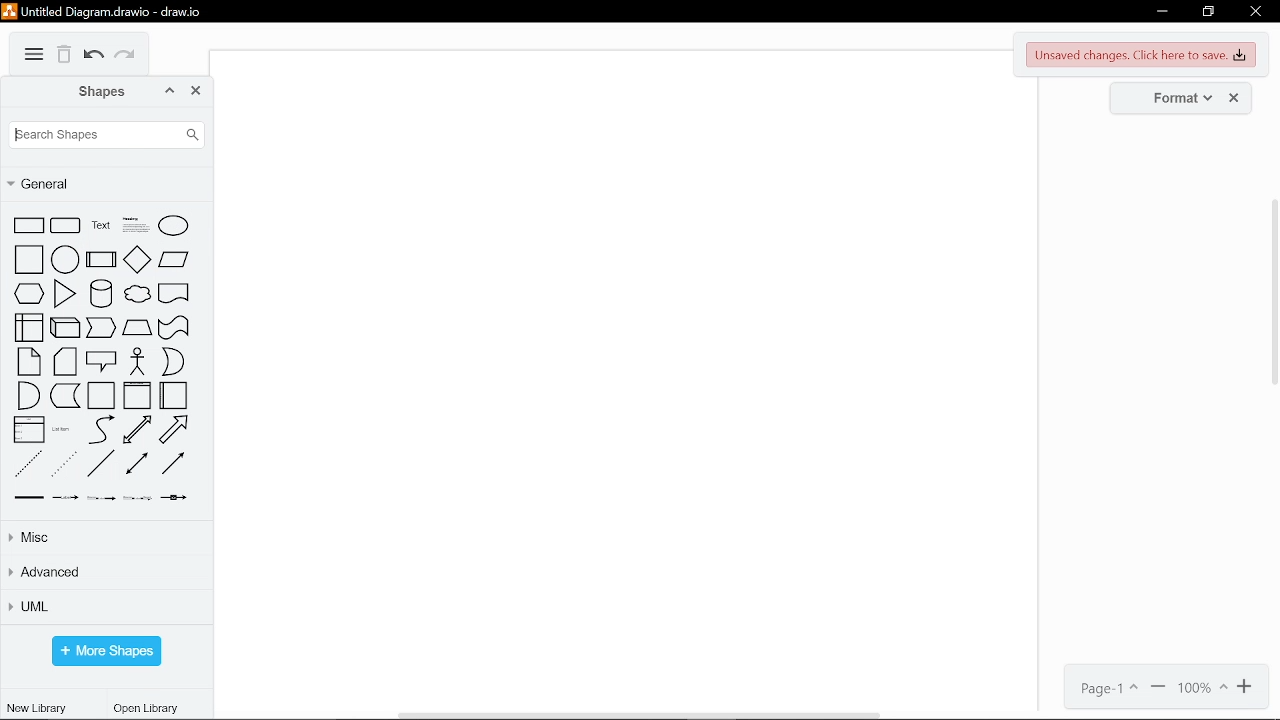 This screenshot has width=1280, height=720. I want to click on hexagon, so click(28, 295).